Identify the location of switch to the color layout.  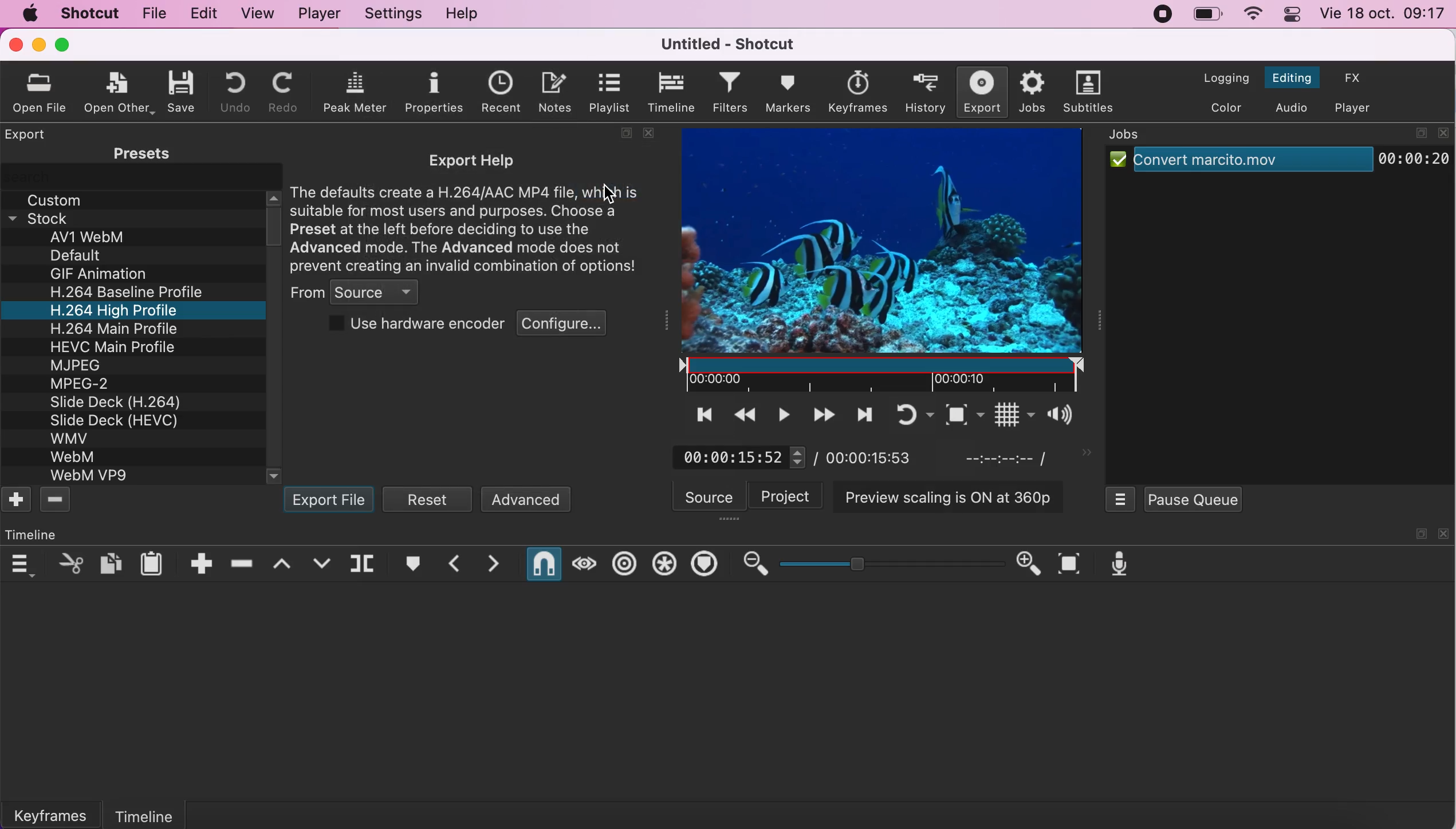
(1222, 106).